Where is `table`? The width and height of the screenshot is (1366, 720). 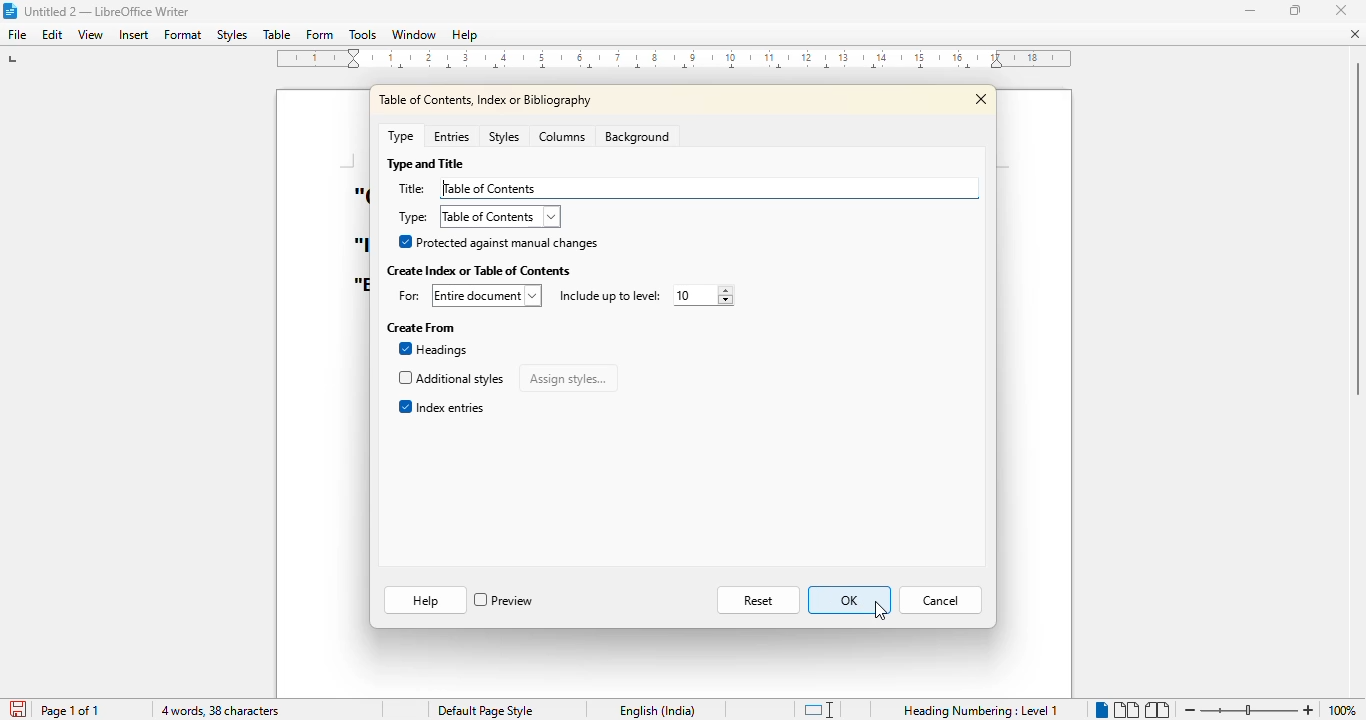 table is located at coordinates (277, 34).